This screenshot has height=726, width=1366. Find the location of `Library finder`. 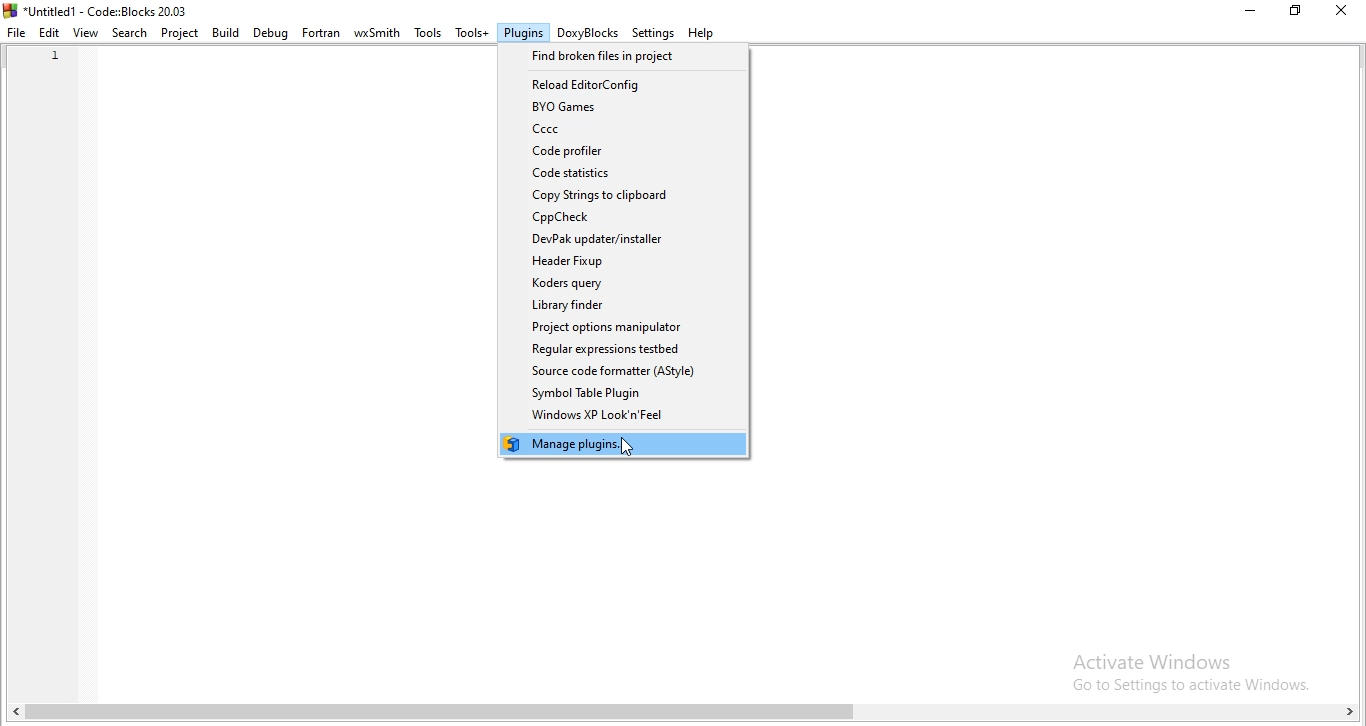

Library finder is located at coordinates (625, 305).